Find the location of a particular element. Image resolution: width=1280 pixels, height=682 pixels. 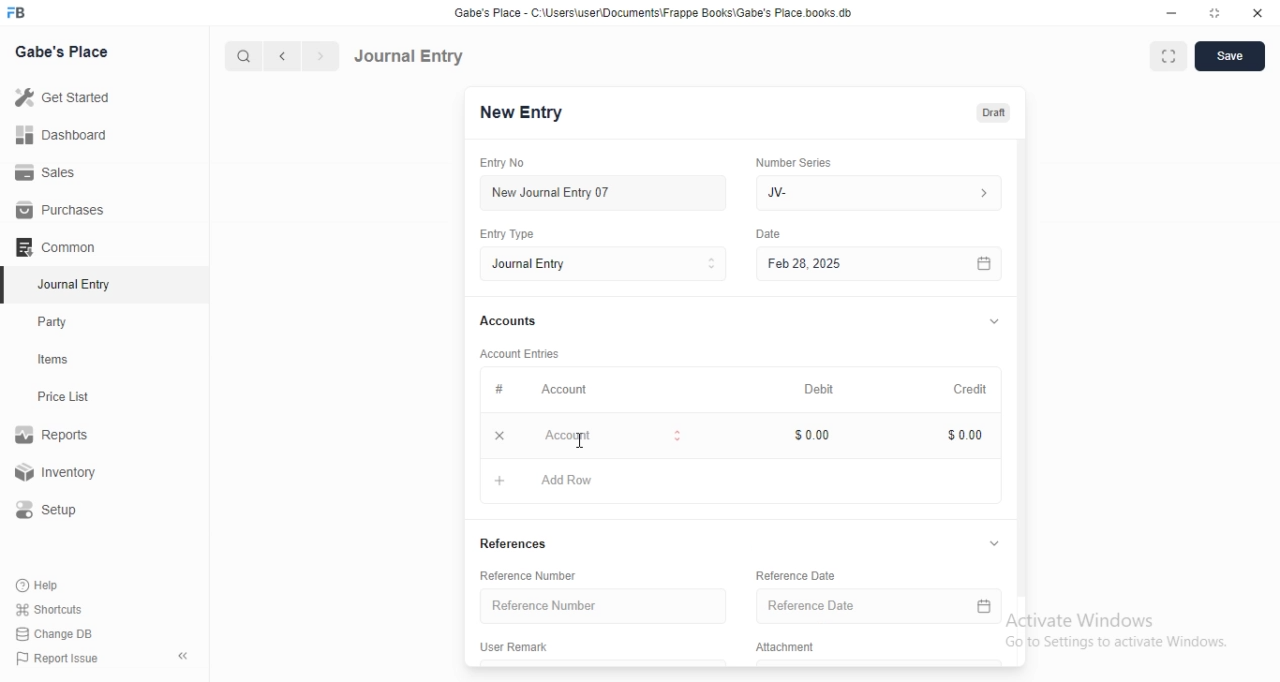

‘Reference Date is located at coordinates (796, 578).